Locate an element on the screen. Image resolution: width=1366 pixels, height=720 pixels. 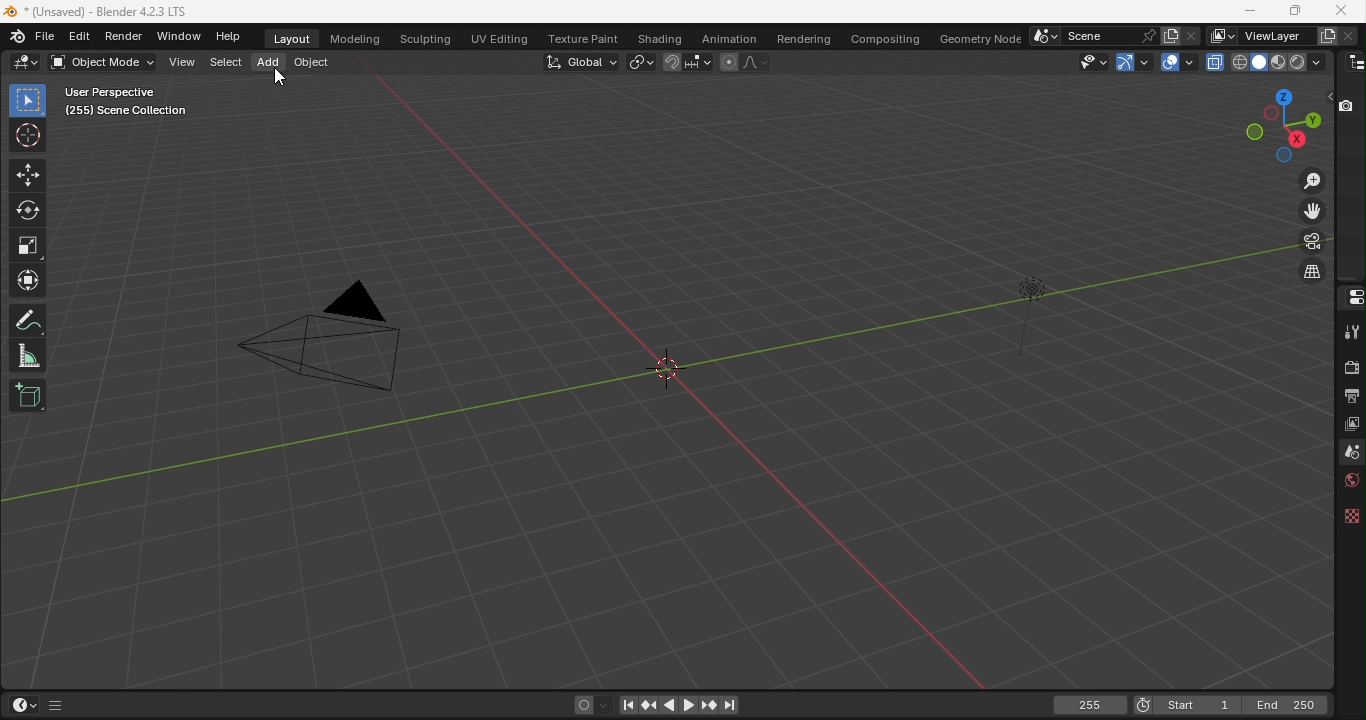
Move is located at coordinates (29, 177).